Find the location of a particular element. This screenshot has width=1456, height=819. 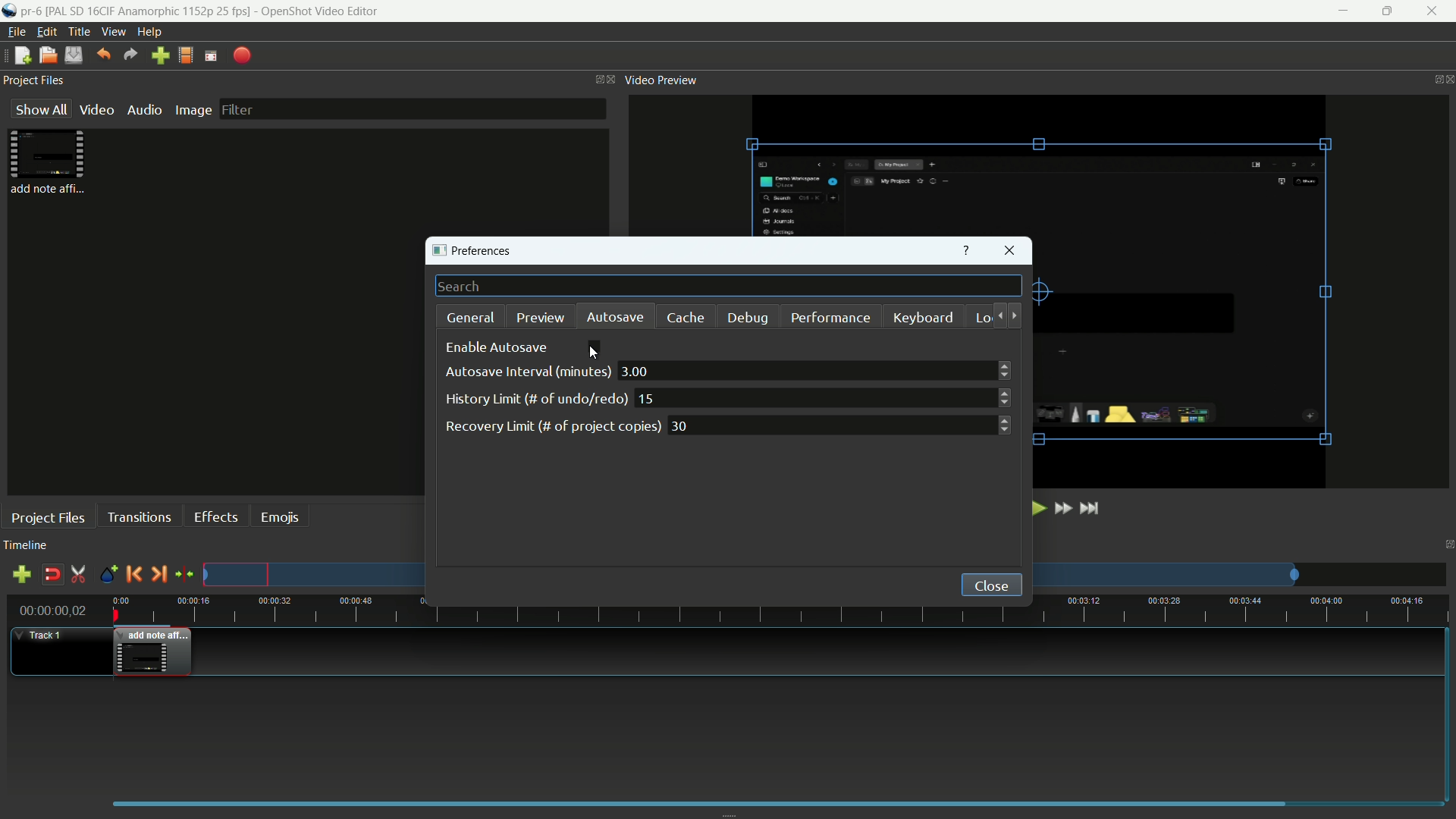

30 is located at coordinates (839, 425).